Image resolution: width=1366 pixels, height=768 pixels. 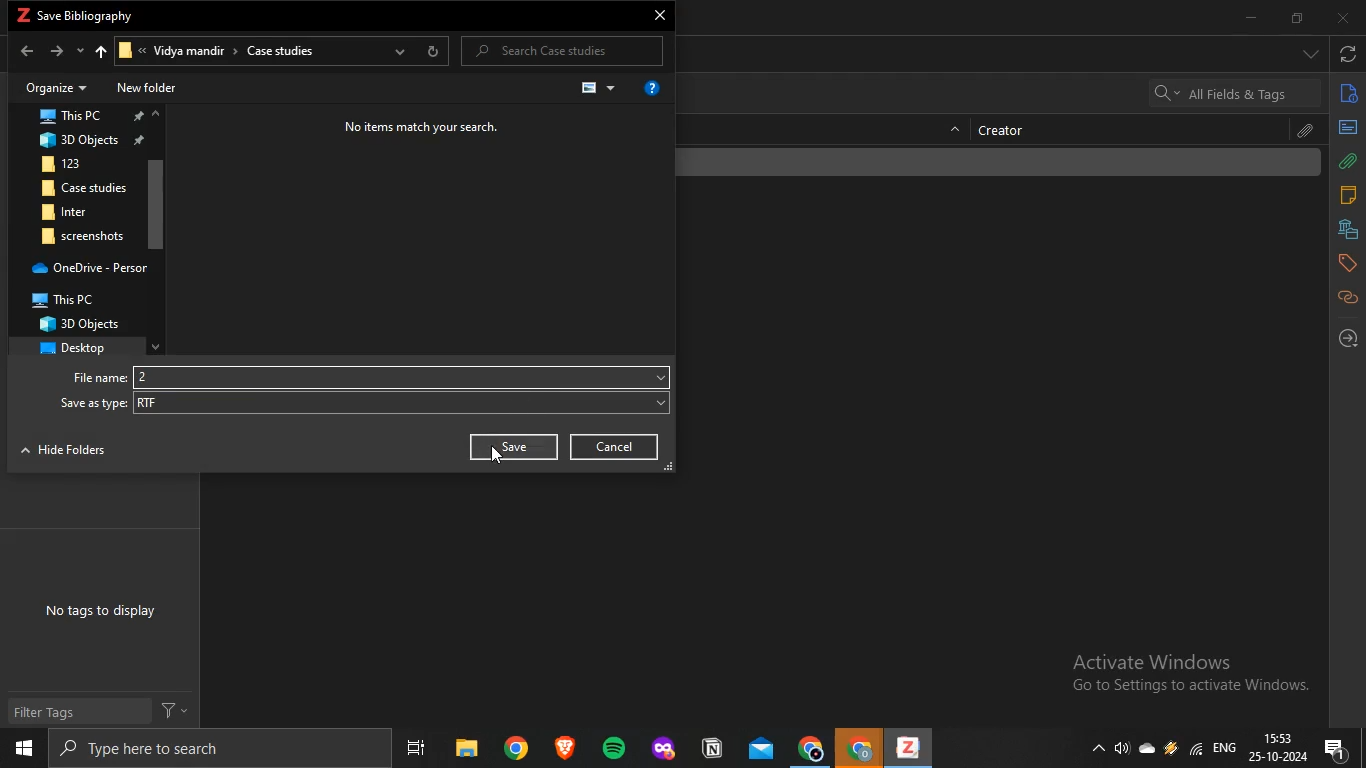 I want to click on mail, so click(x=763, y=748).